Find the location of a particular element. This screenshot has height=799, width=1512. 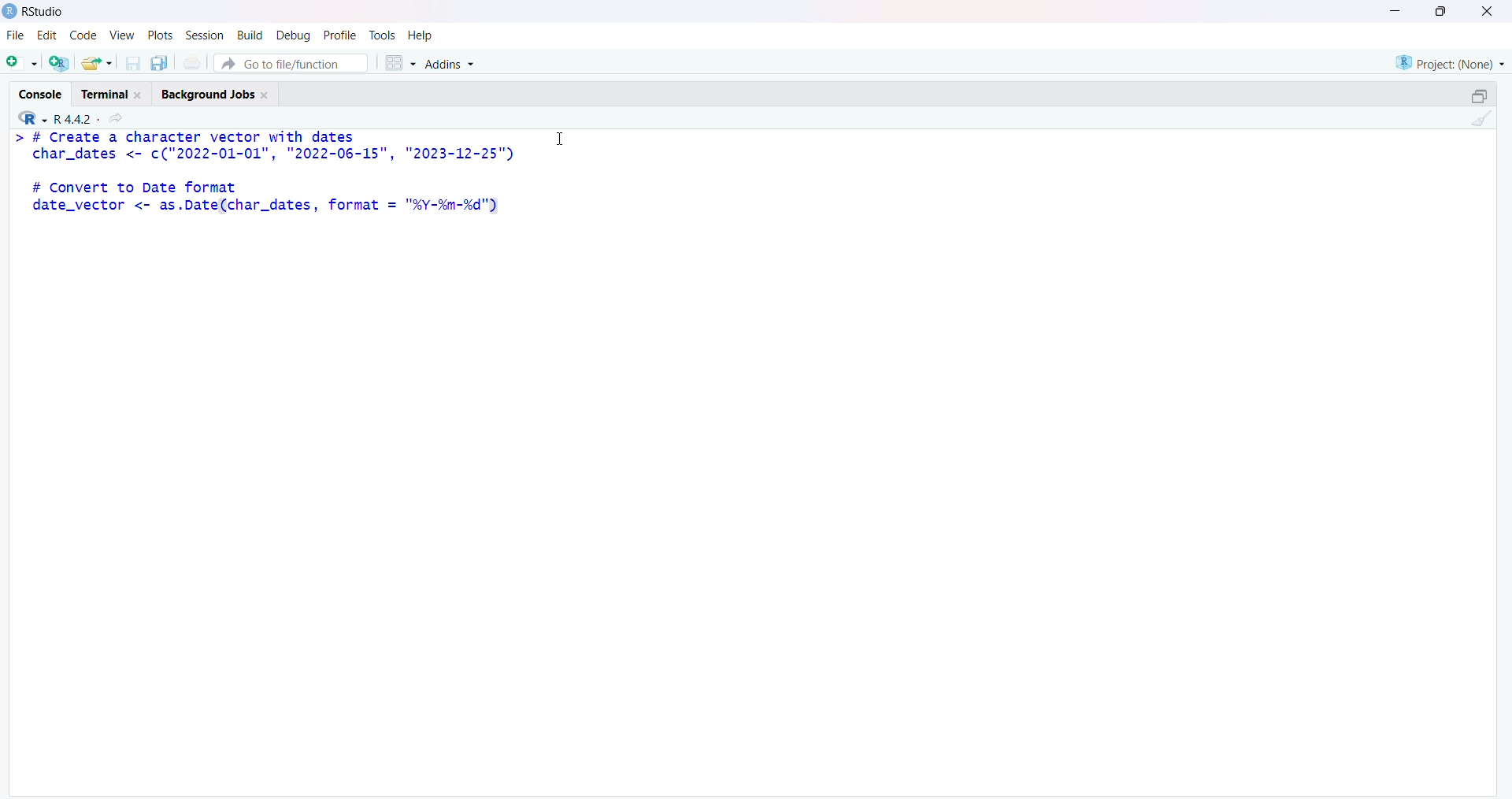

Debug is located at coordinates (292, 36).